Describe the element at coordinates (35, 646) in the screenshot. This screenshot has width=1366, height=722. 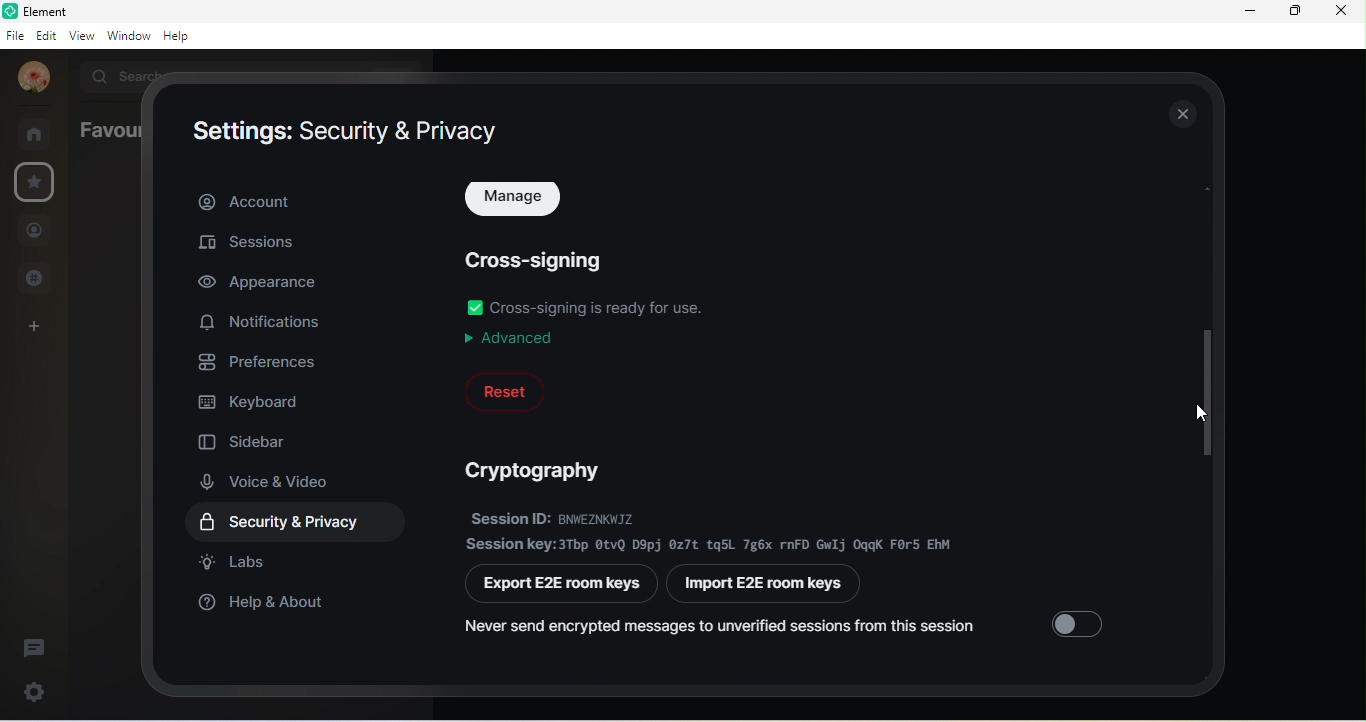
I see `threads` at that location.